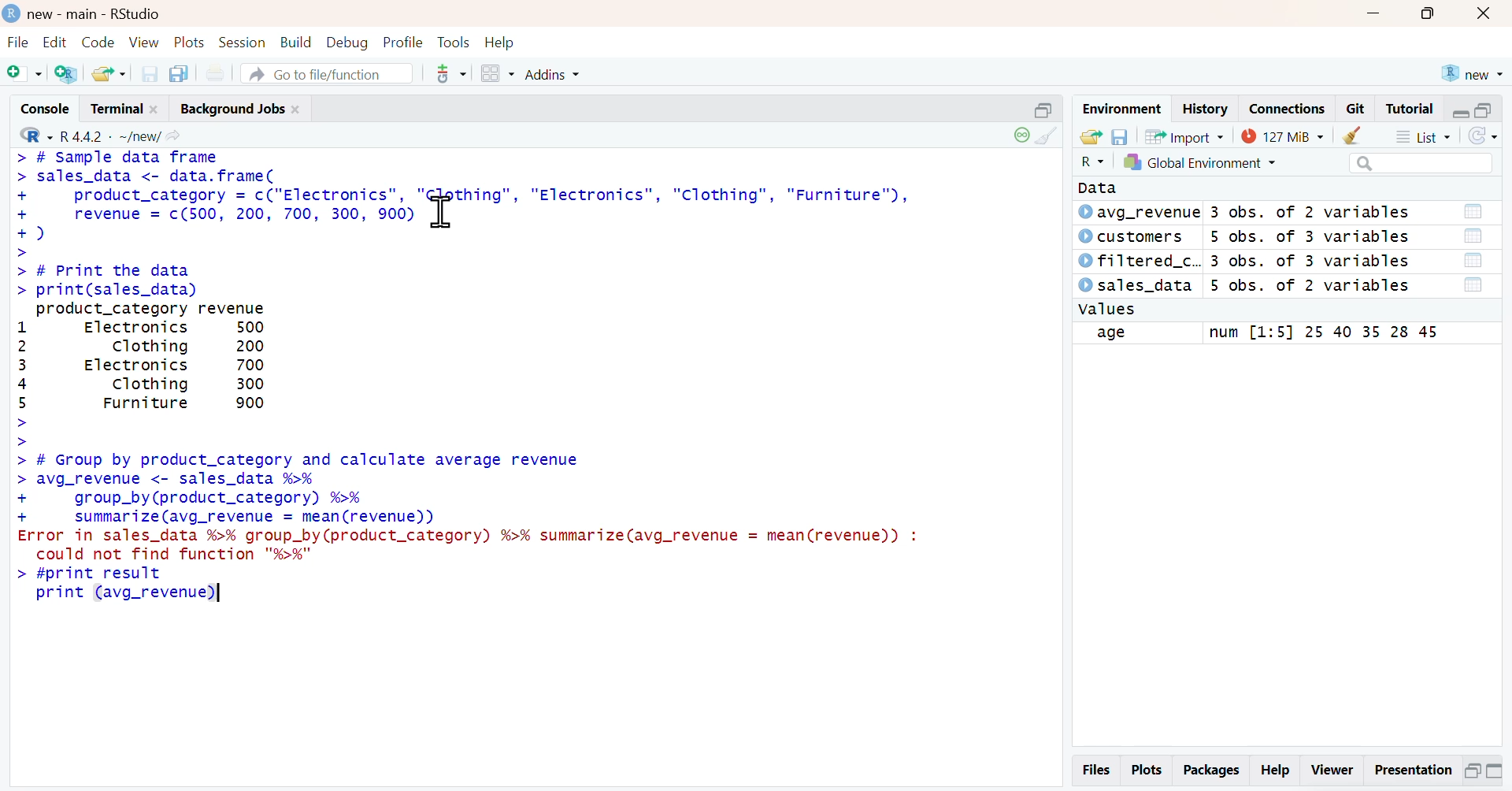  Describe the element at coordinates (1120, 137) in the screenshot. I see `Save workspace as` at that location.